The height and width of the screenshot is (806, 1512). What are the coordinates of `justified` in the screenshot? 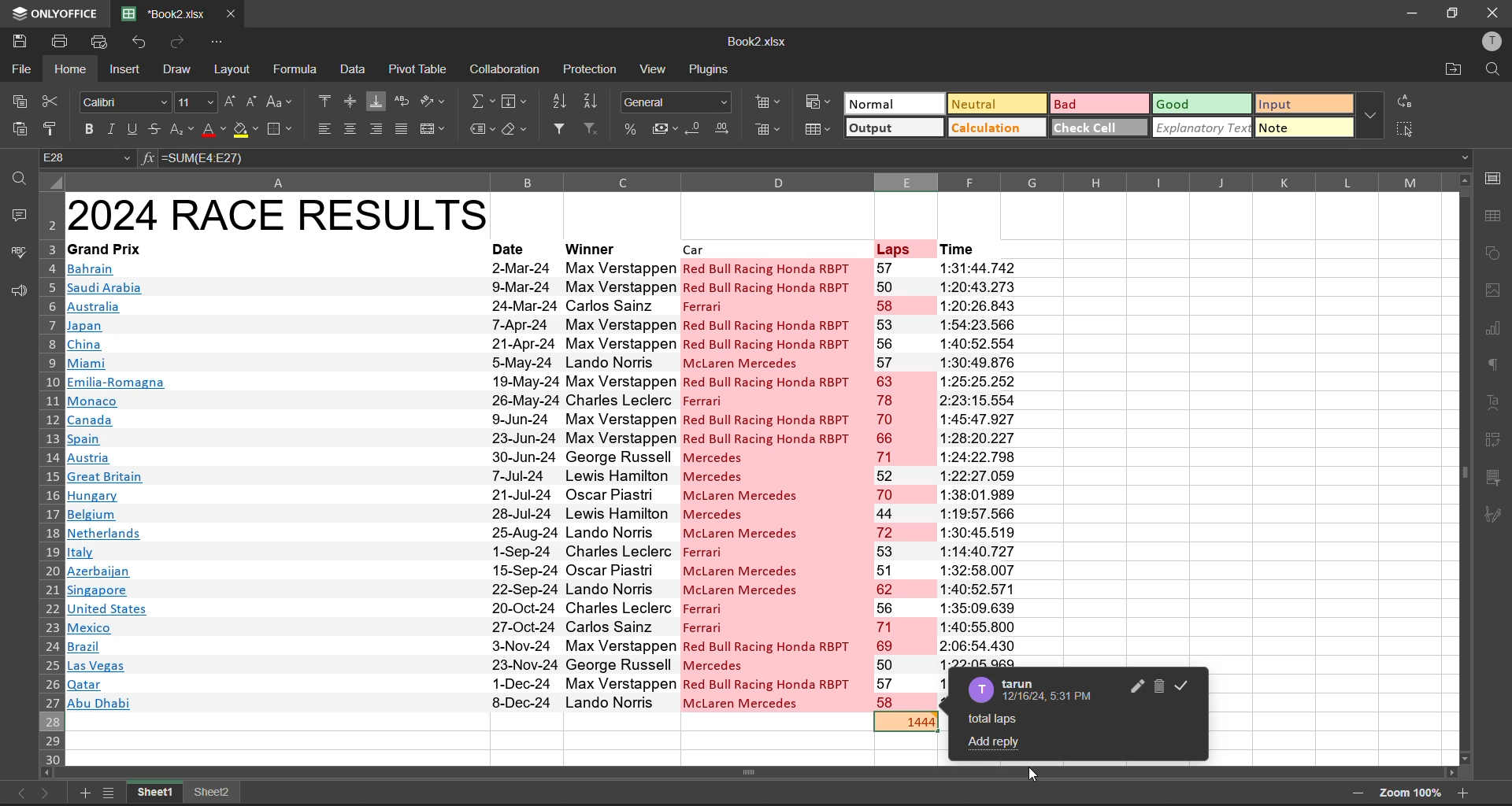 It's located at (403, 128).